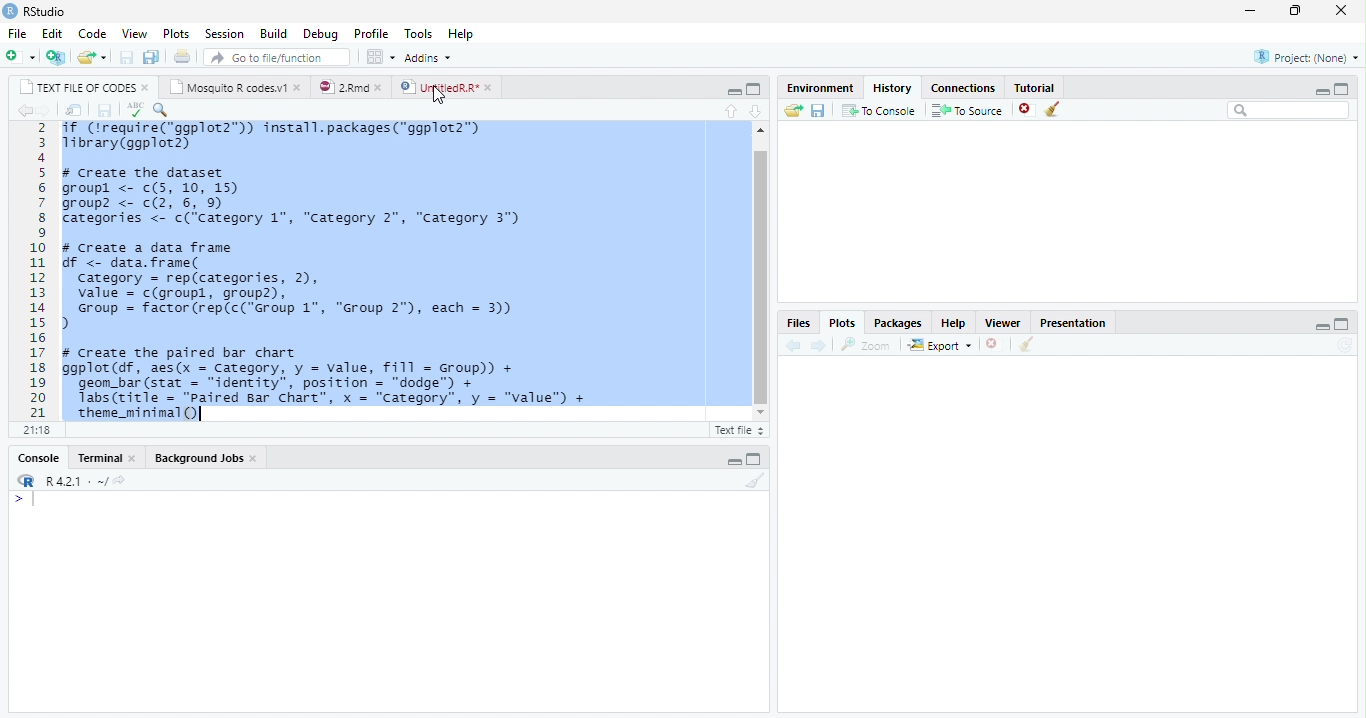 The height and width of the screenshot is (718, 1366). I want to click on logo, so click(26, 480).